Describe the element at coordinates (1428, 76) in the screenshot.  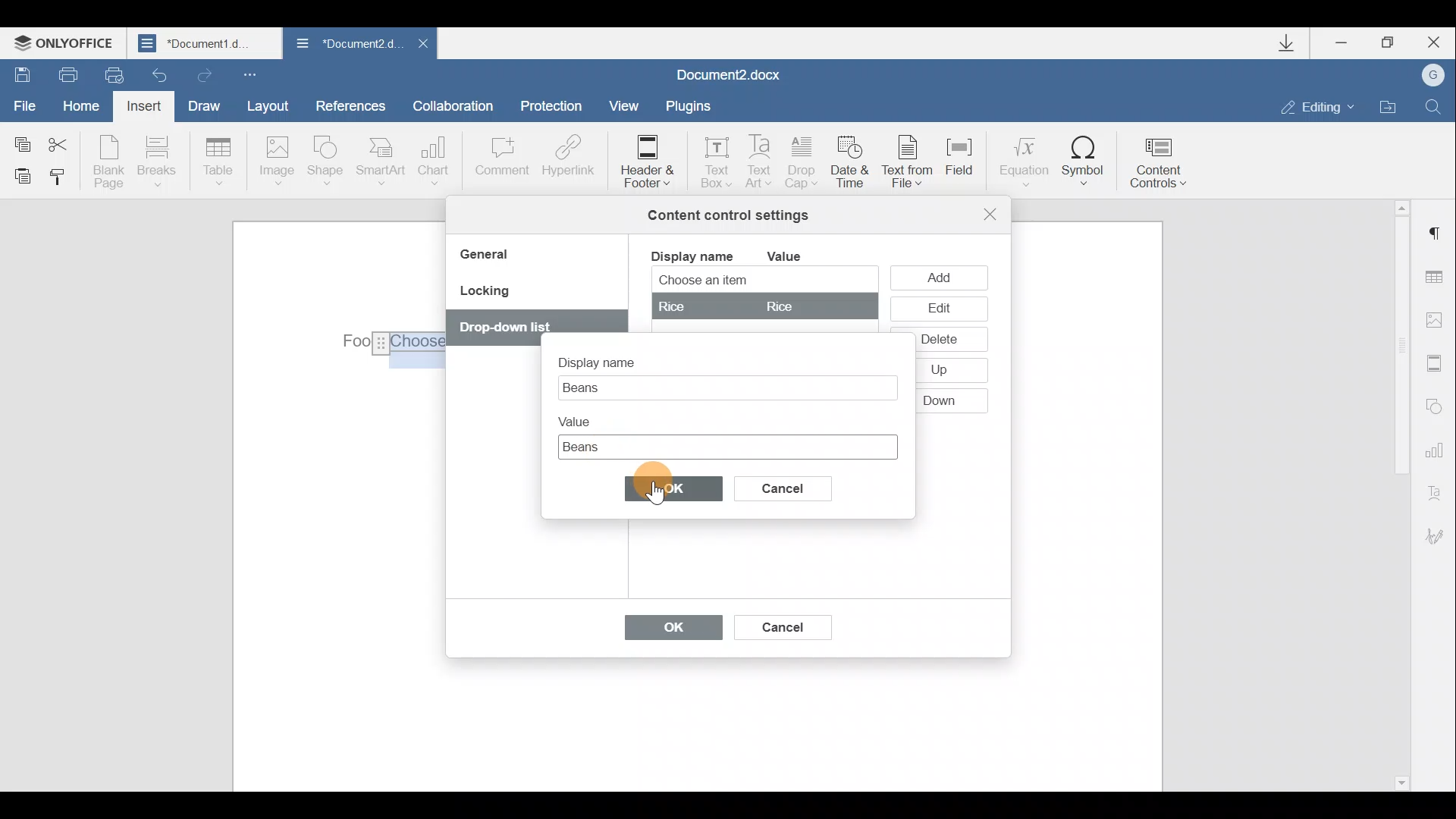
I see `Account name` at that location.